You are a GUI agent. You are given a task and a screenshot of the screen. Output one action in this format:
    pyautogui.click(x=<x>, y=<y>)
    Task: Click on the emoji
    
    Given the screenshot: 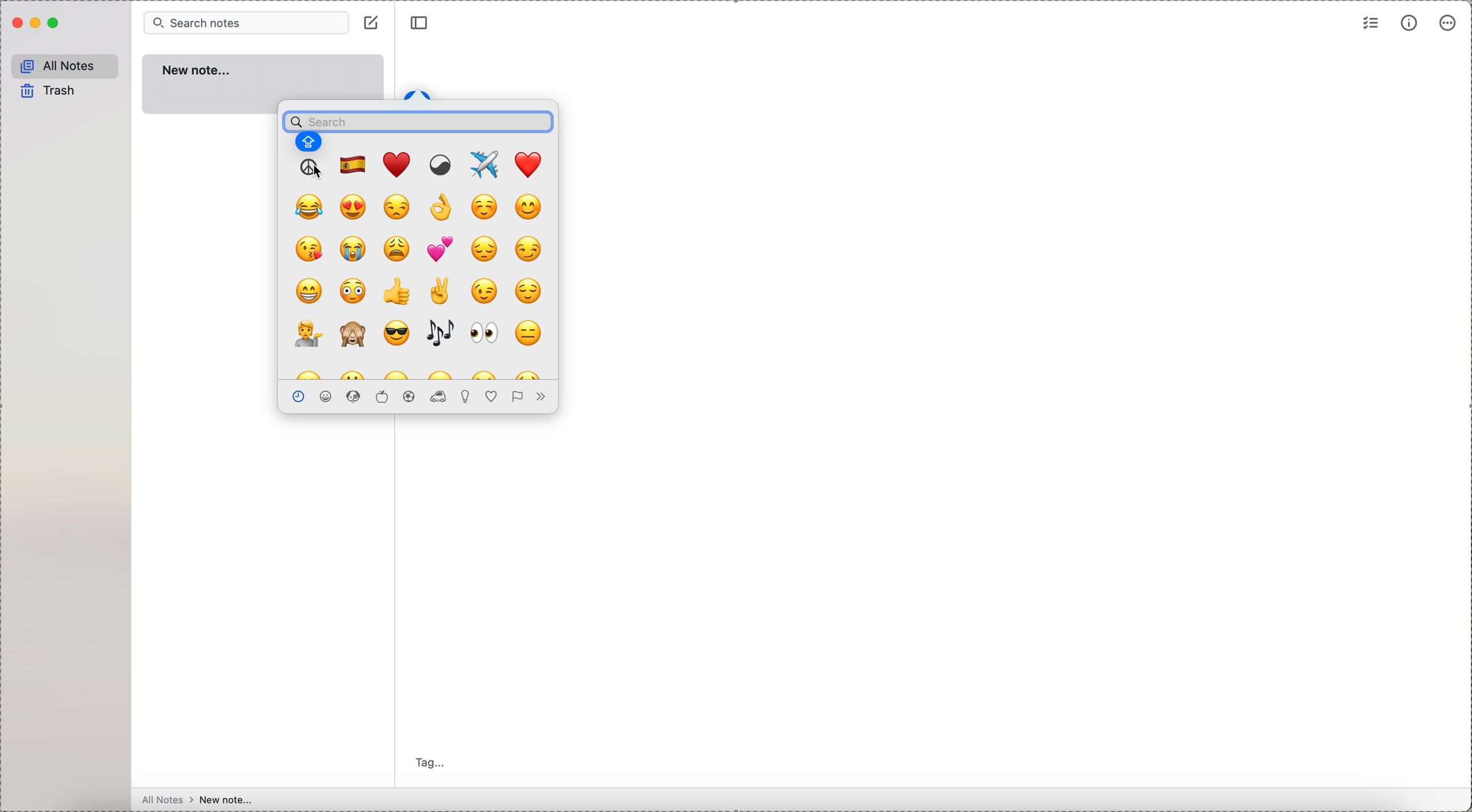 What is the action you would take?
    pyautogui.click(x=440, y=291)
    